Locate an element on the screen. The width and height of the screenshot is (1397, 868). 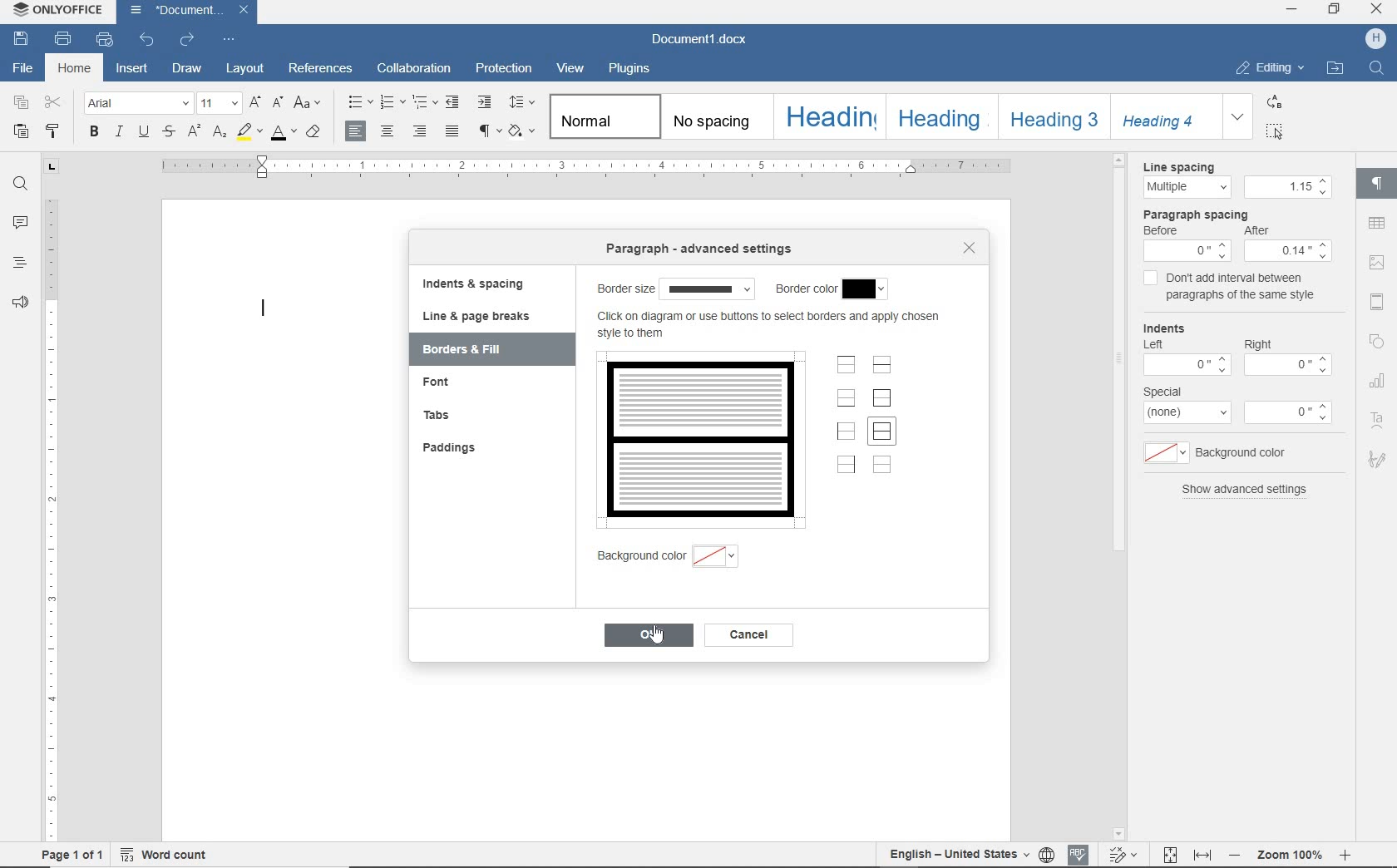
comments is located at coordinates (20, 224).